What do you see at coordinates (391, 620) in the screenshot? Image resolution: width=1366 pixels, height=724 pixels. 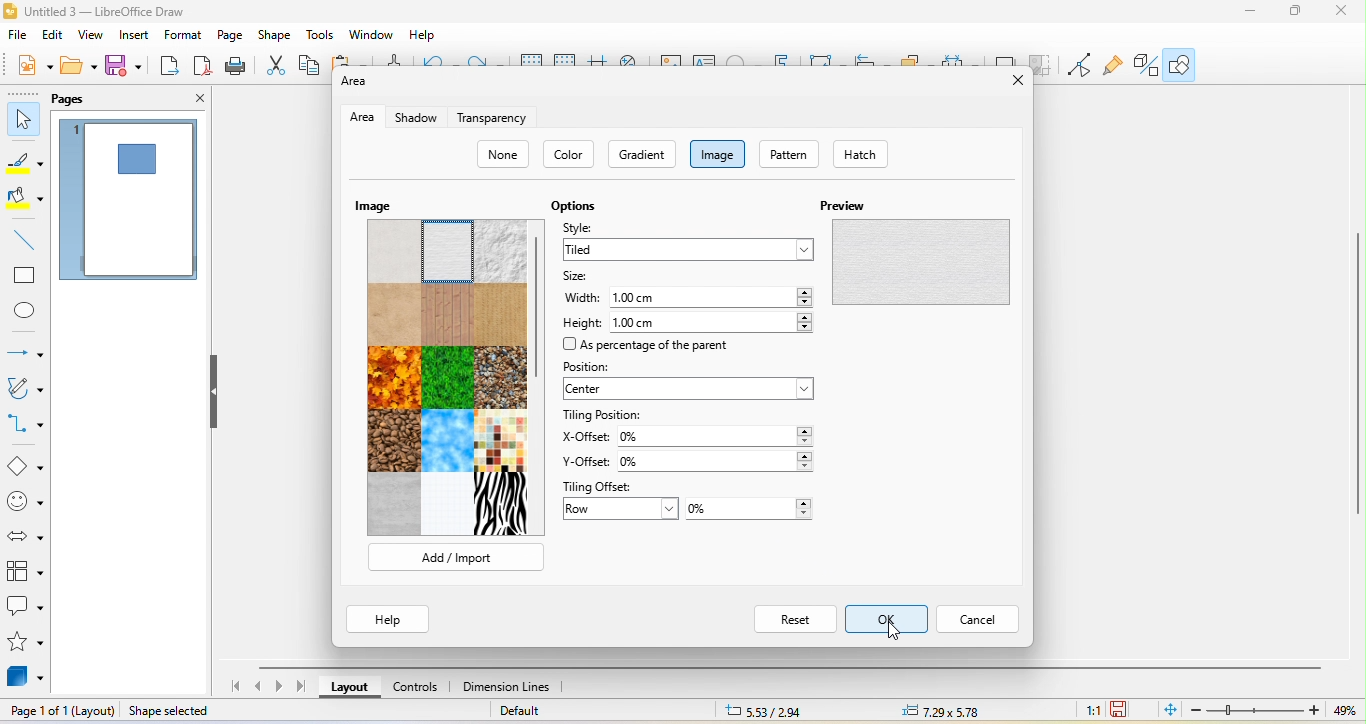 I see `help` at bounding box center [391, 620].